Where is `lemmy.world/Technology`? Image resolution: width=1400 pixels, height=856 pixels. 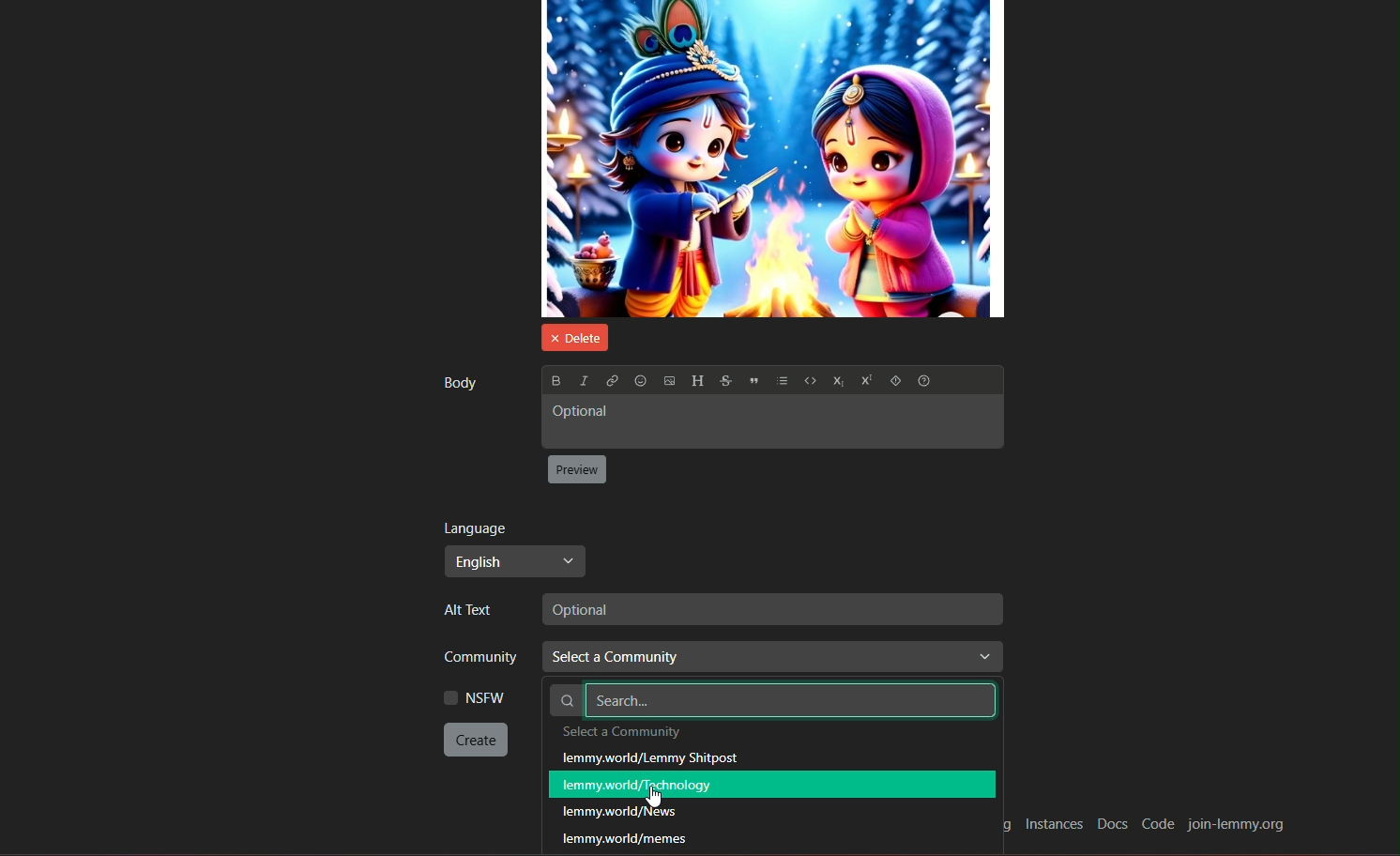 lemmy.world/Technology is located at coordinates (770, 783).